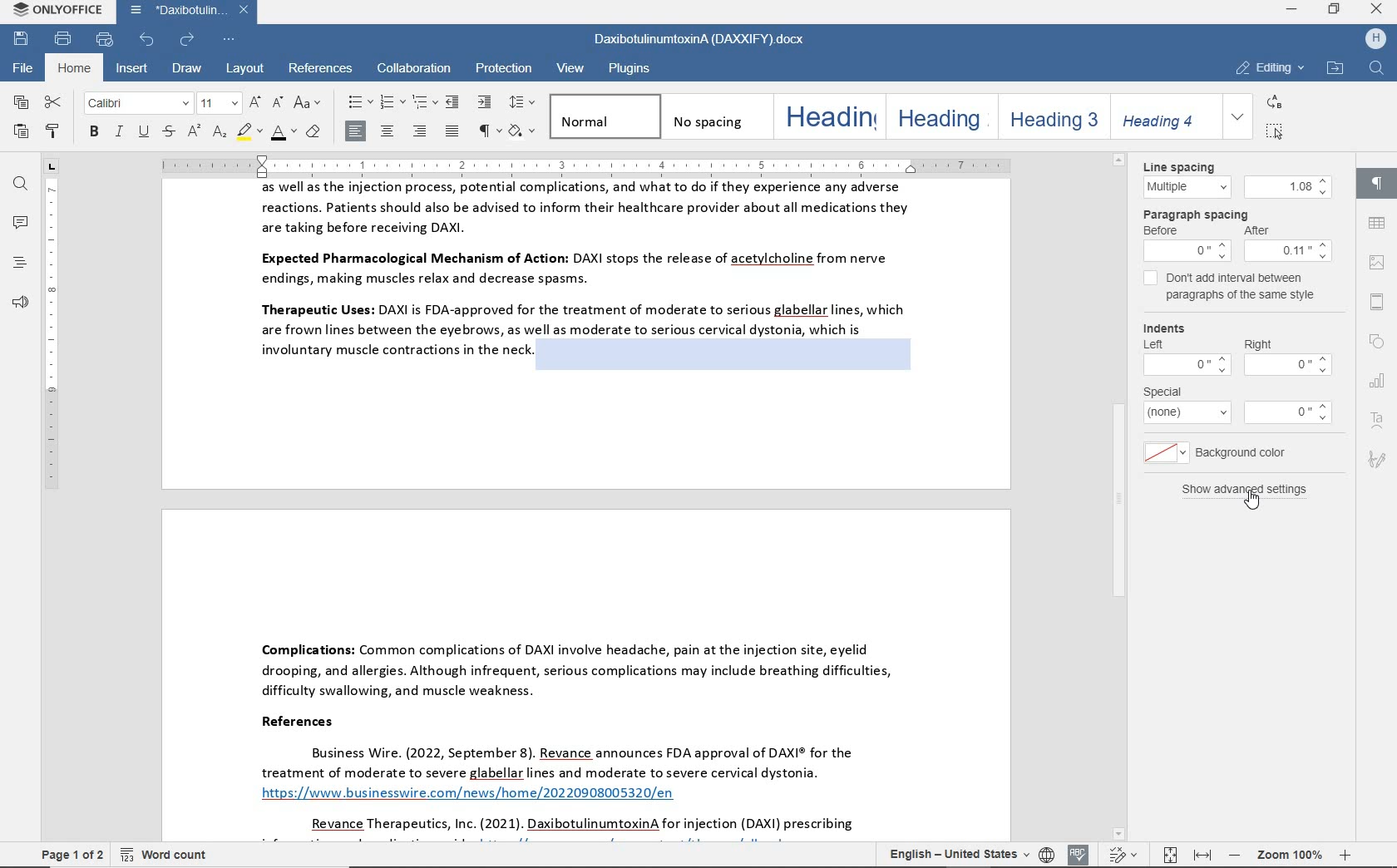  What do you see at coordinates (1238, 406) in the screenshot?
I see `special` at bounding box center [1238, 406].